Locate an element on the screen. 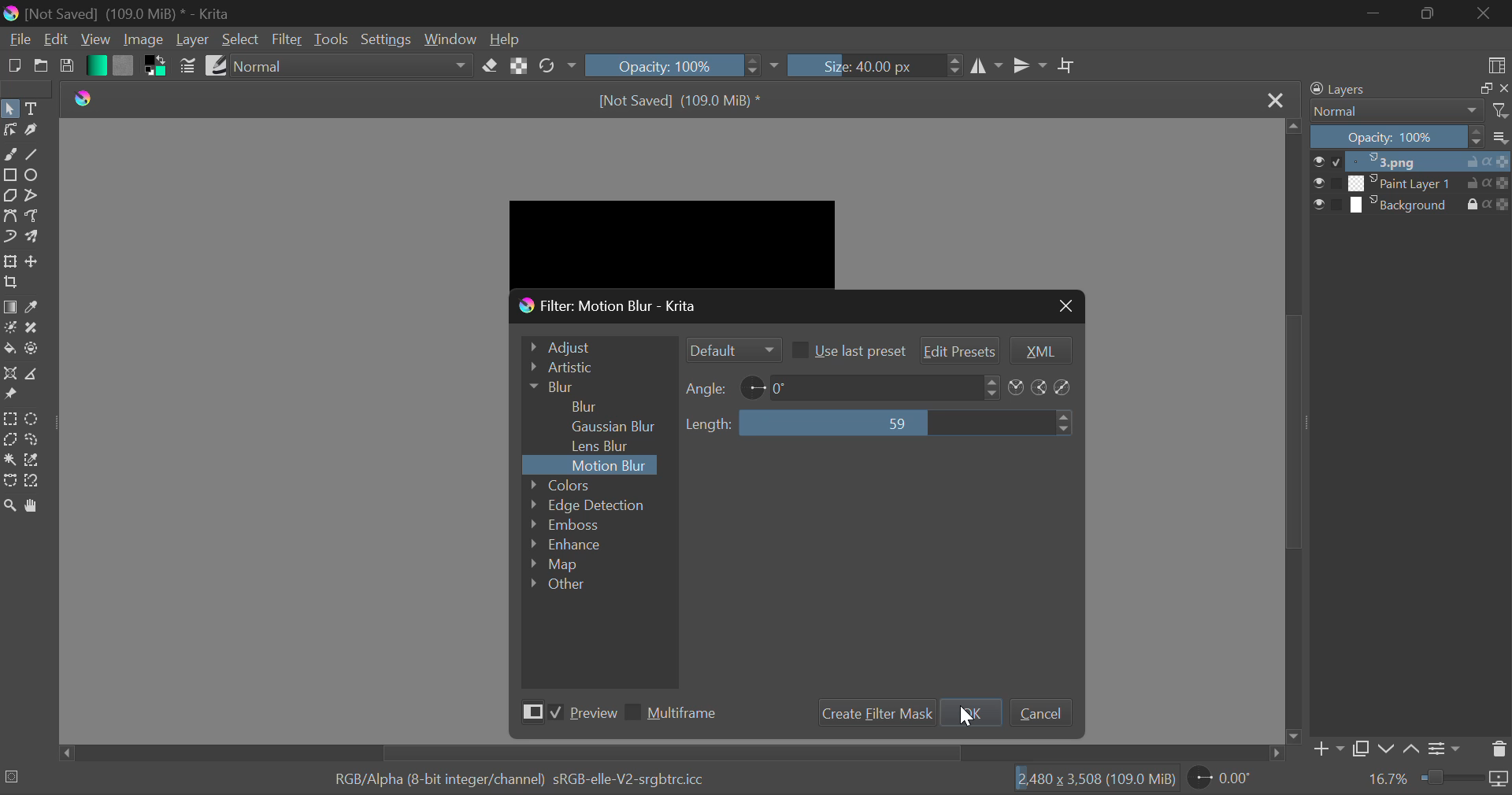 The height and width of the screenshot is (795, 1512). Eraser is located at coordinates (491, 65).